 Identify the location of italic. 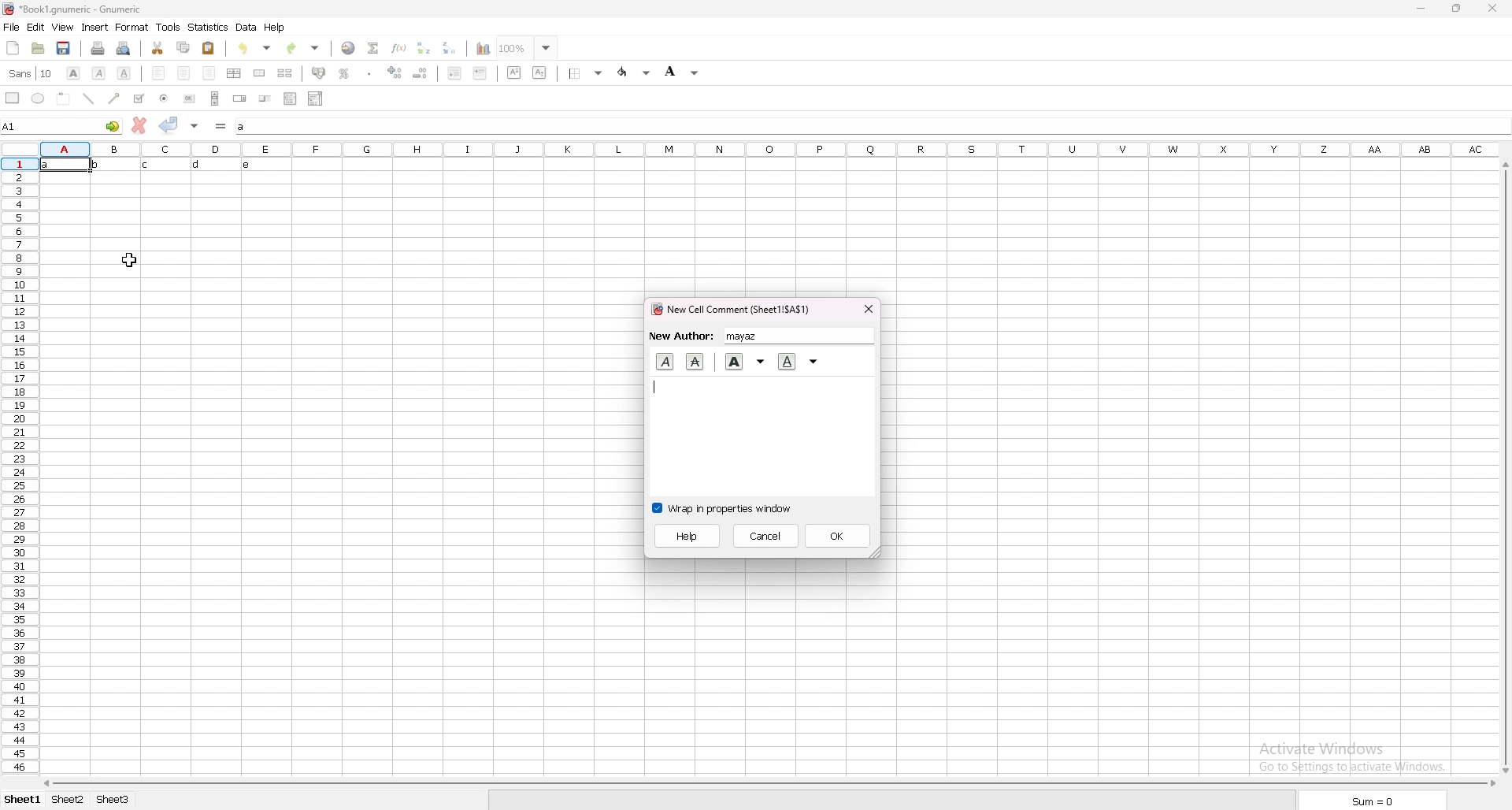
(665, 362).